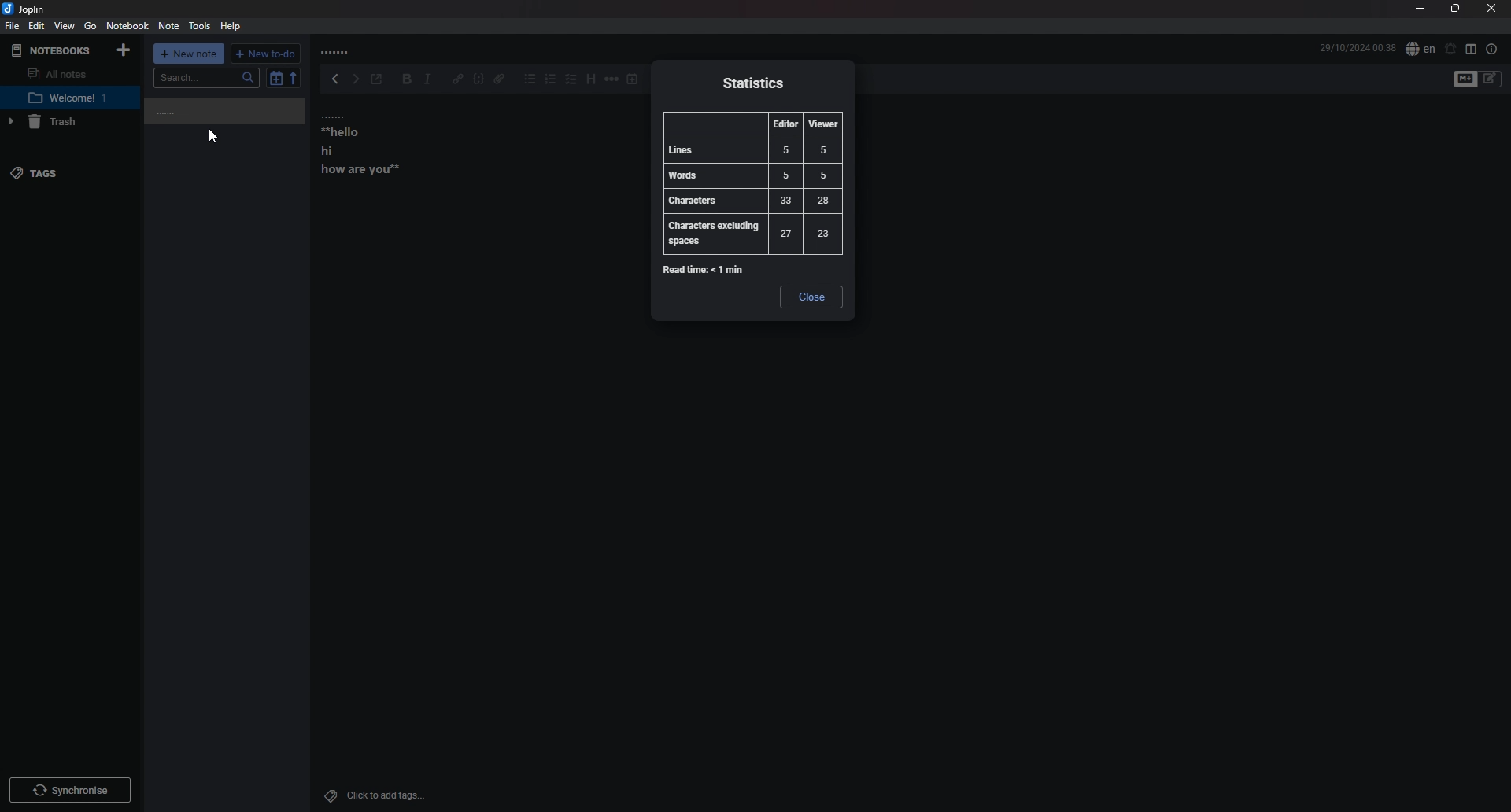 Image resolution: width=1511 pixels, height=812 pixels. Describe the element at coordinates (13, 25) in the screenshot. I see `File` at that location.